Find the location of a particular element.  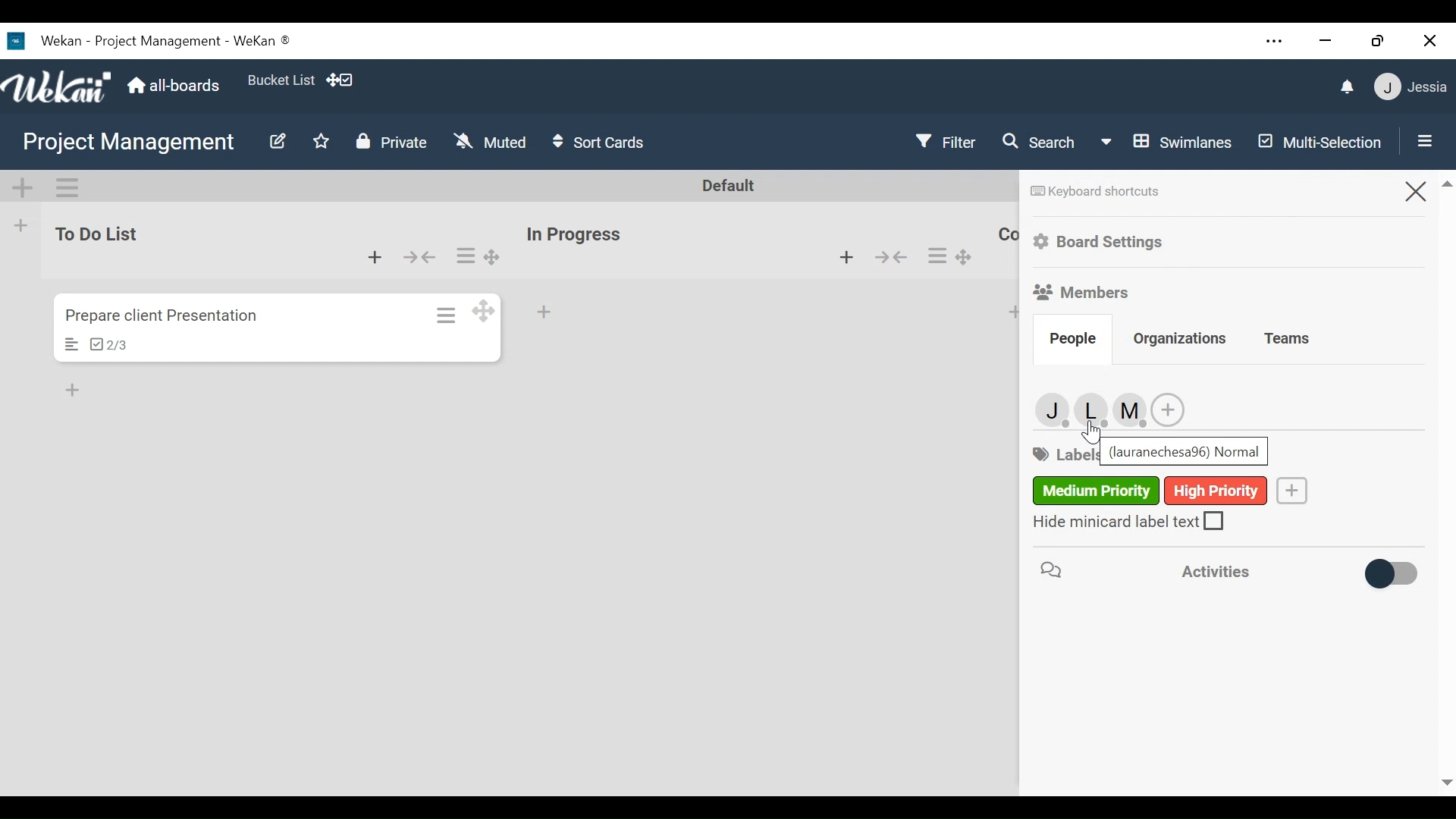

Default is located at coordinates (730, 186).